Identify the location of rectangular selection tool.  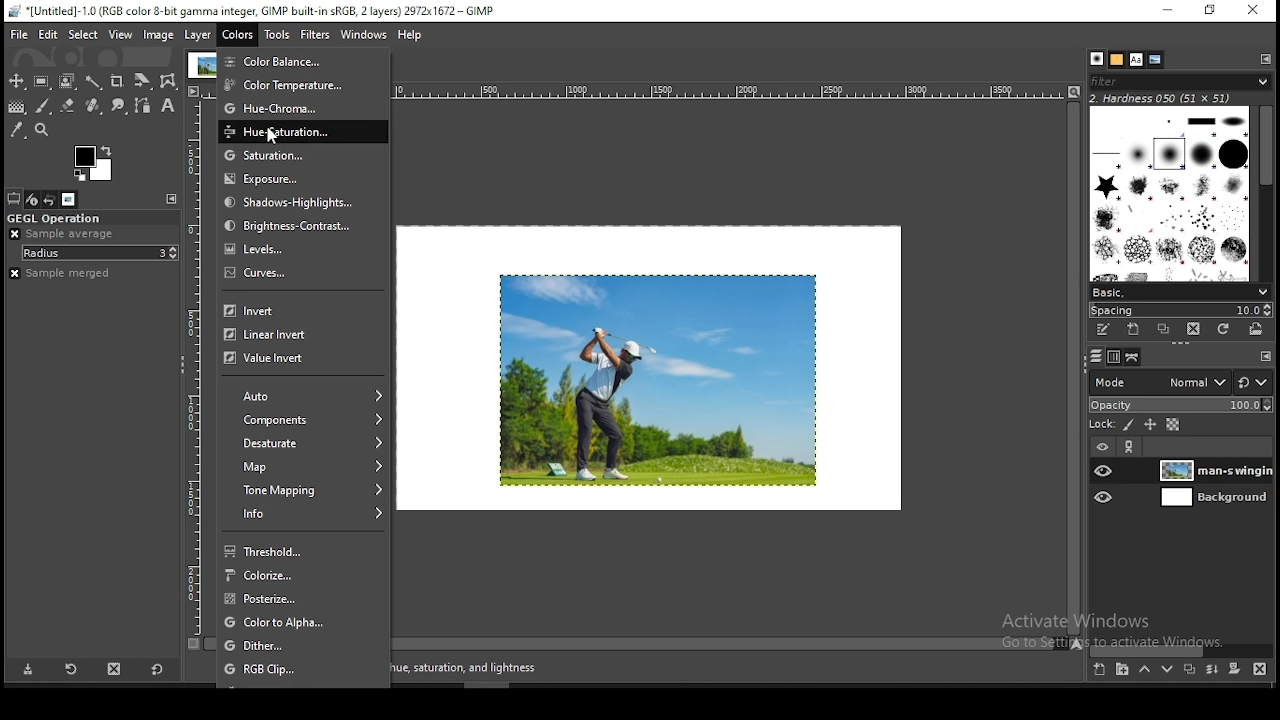
(42, 82).